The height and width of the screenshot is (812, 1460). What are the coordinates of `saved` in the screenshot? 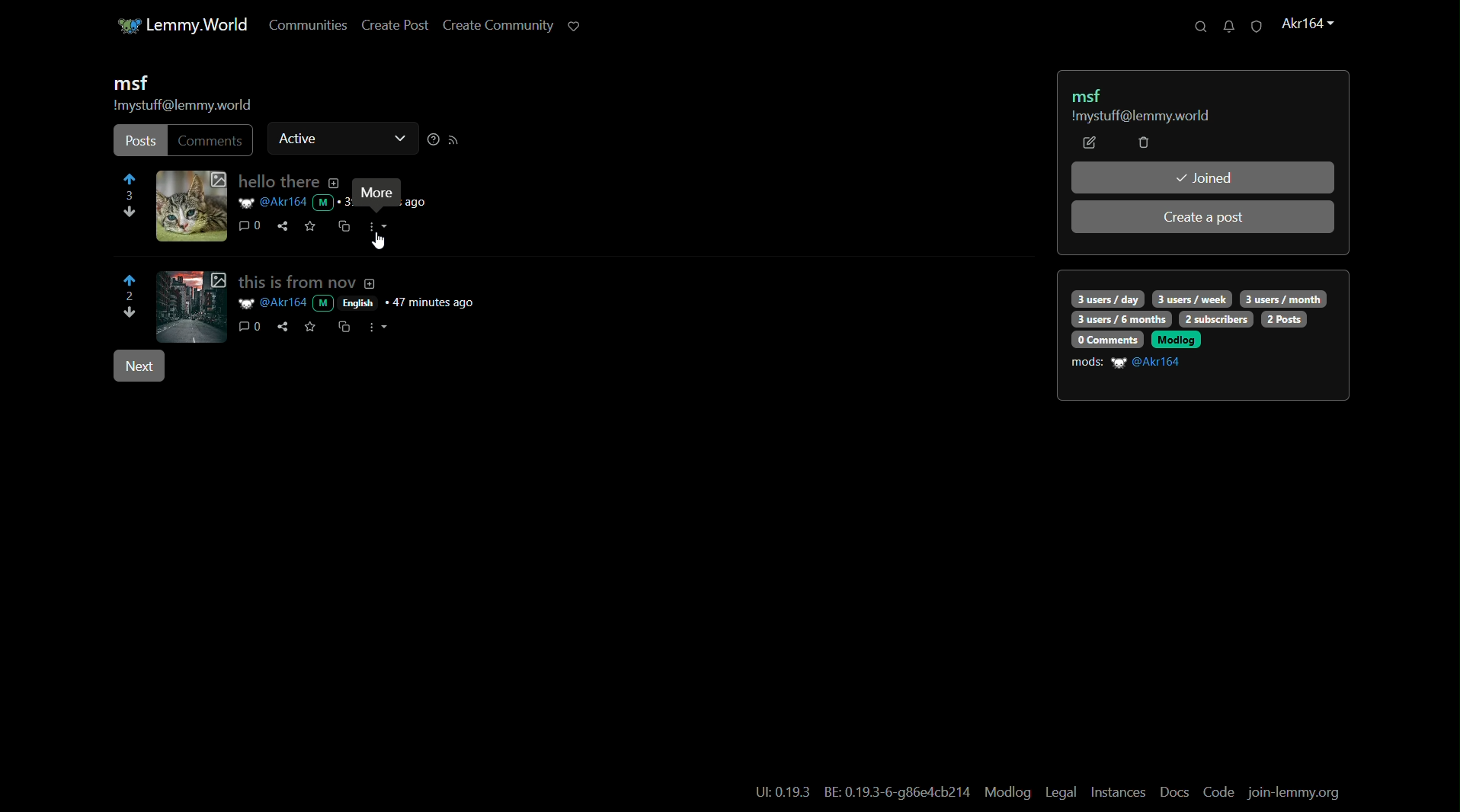 It's located at (311, 225).